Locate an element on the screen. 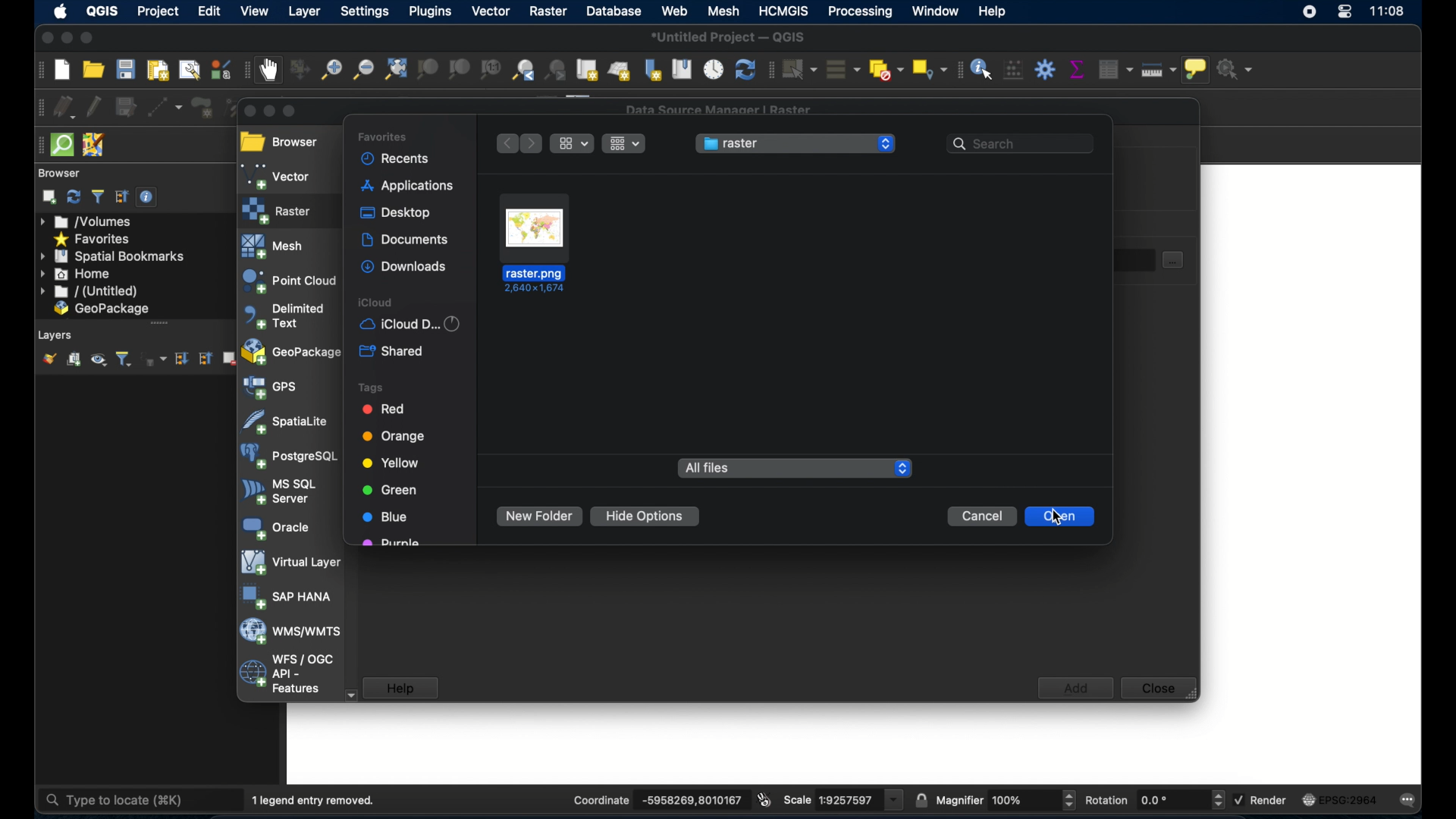  new spatial bookmark is located at coordinates (654, 69).